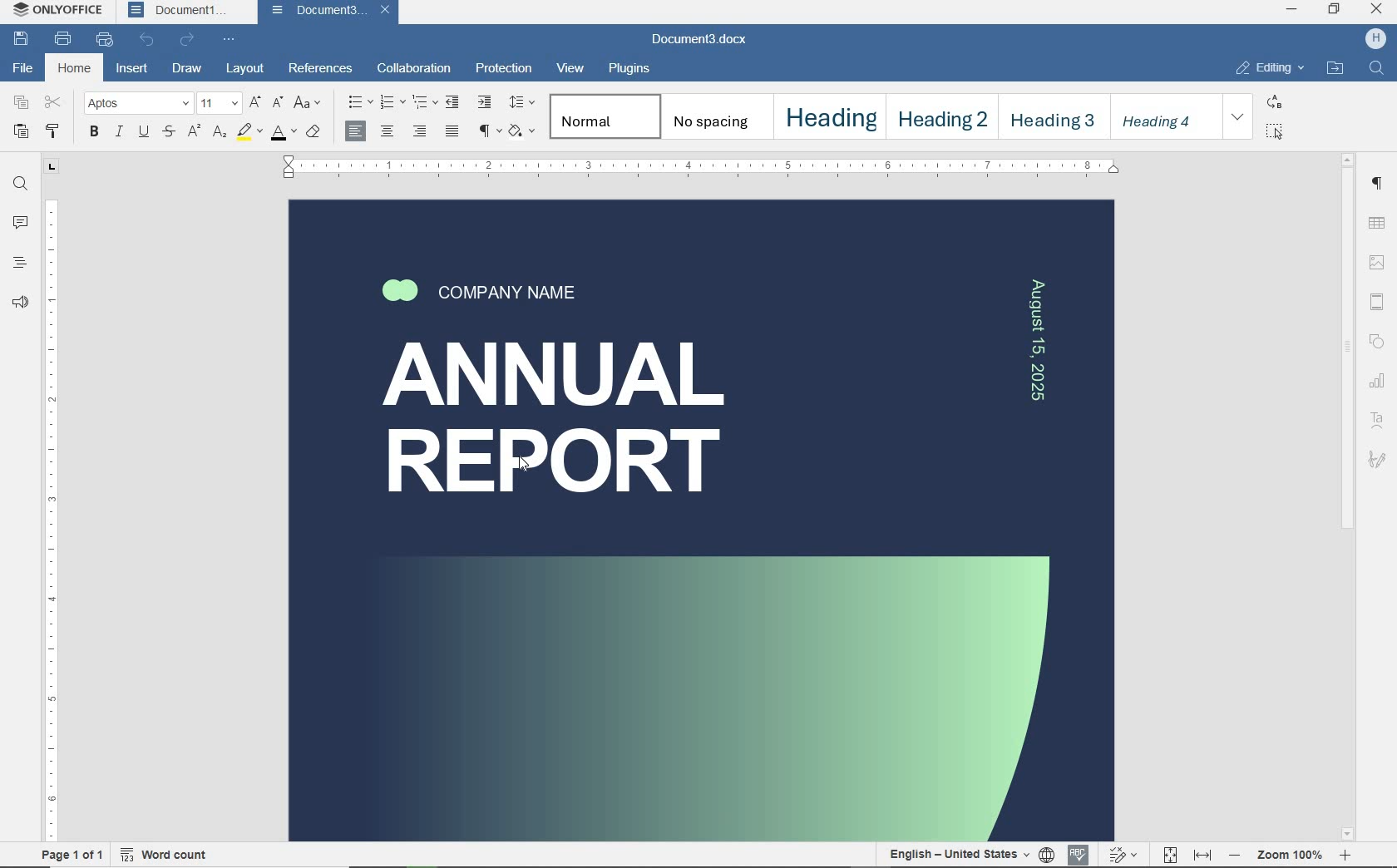 The width and height of the screenshot is (1397, 868). Describe the element at coordinates (360, 101) in the screenshot. I see `bullets` at that location.